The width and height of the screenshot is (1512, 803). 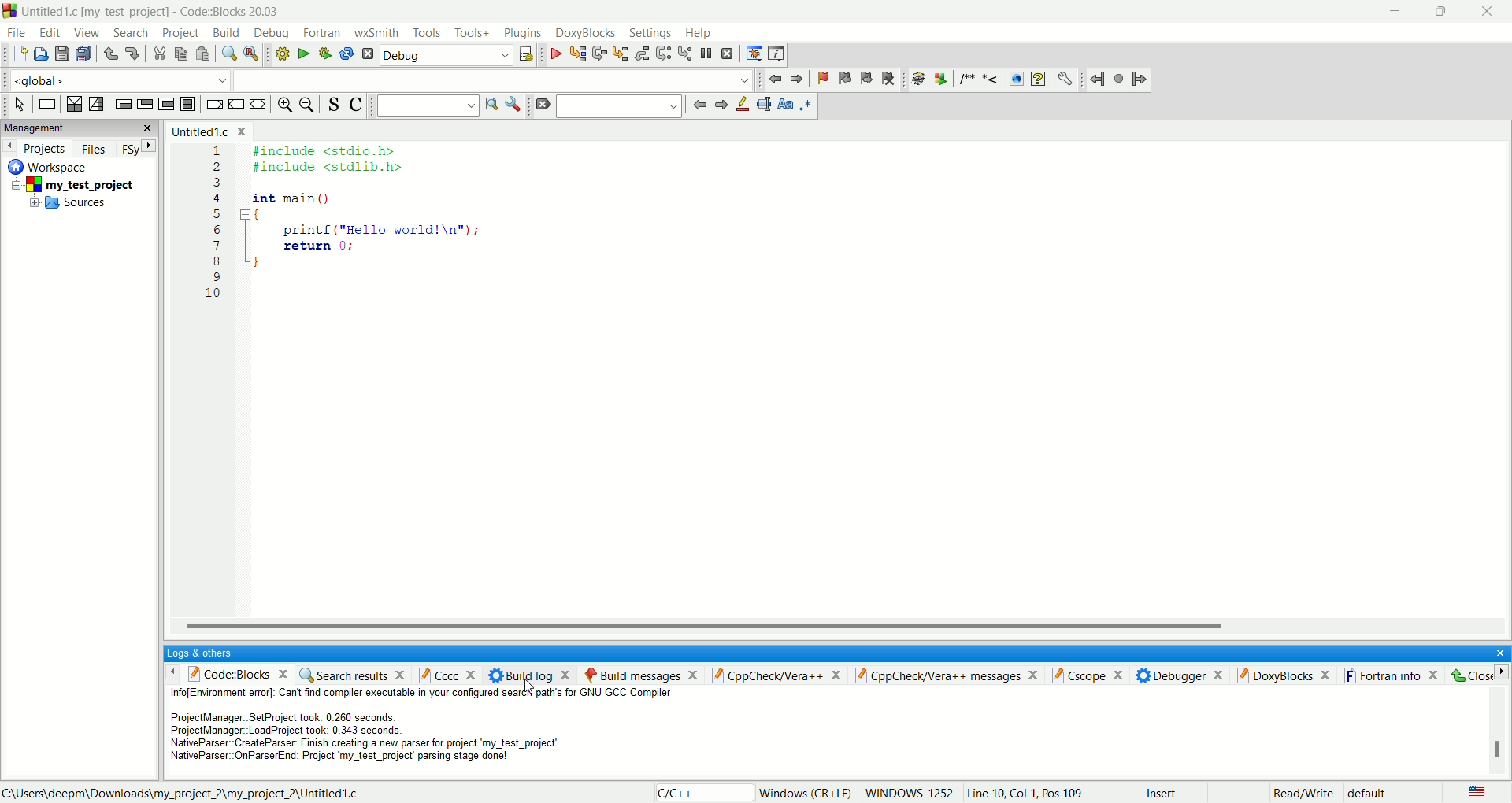 What do you see at coordinates (370, 217) in the screenshot?
I see `code` at bounding box center [370, 217].